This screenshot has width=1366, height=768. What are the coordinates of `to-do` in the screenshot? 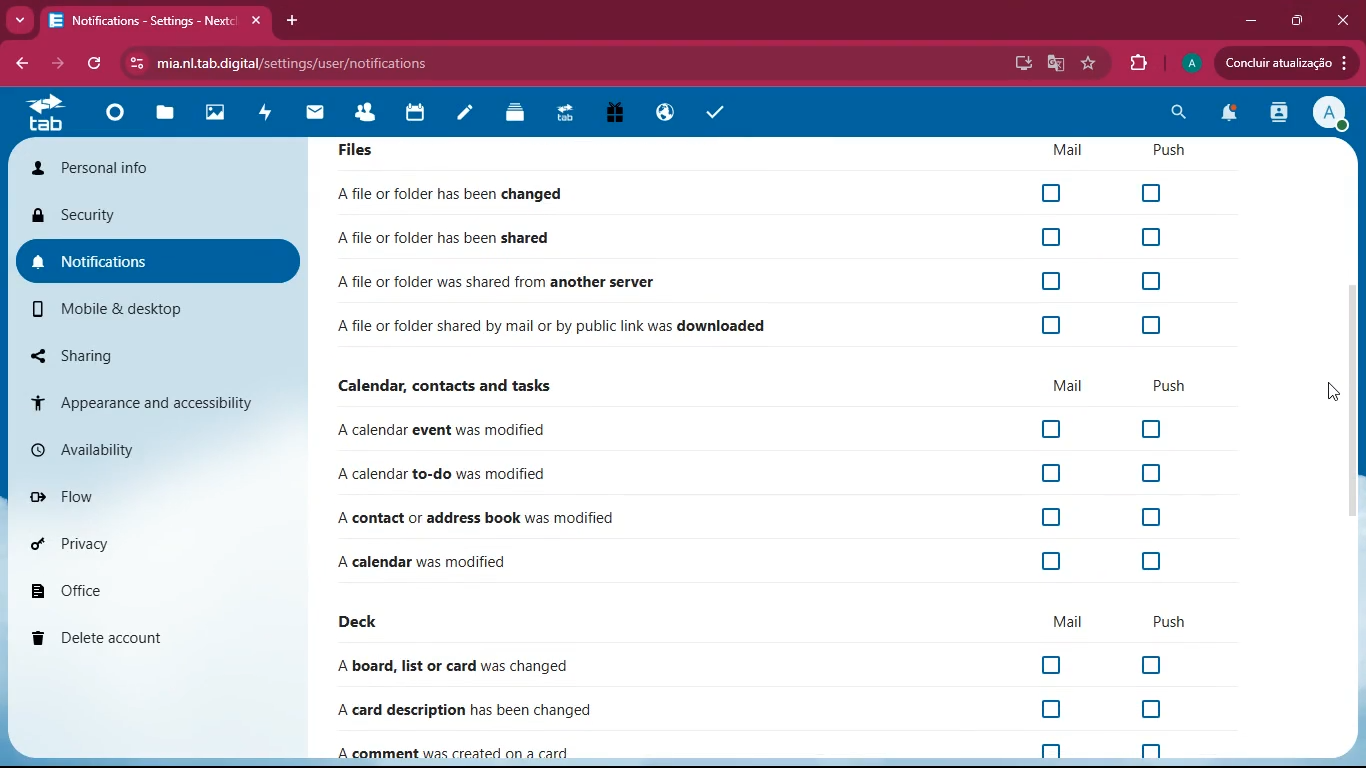 It's located at (447, 471).